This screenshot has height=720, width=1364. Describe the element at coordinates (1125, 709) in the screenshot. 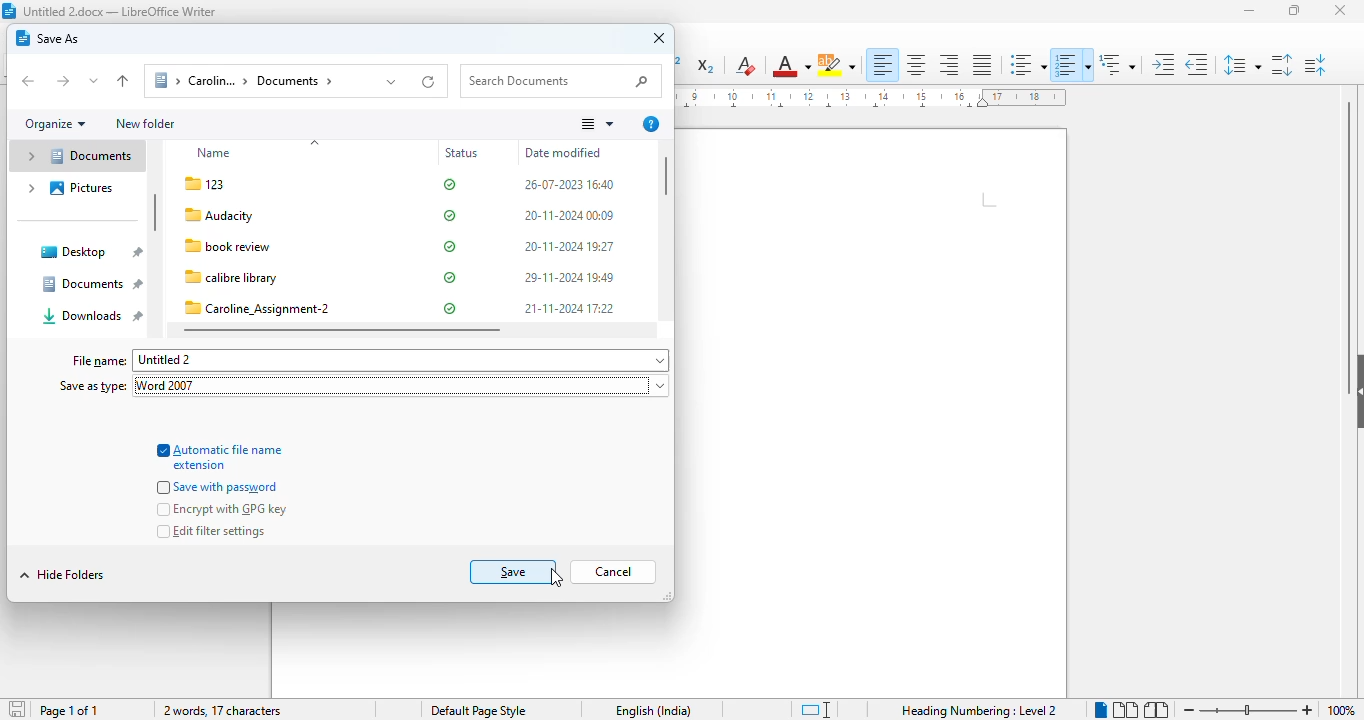

I see `multi-page view` at that location.